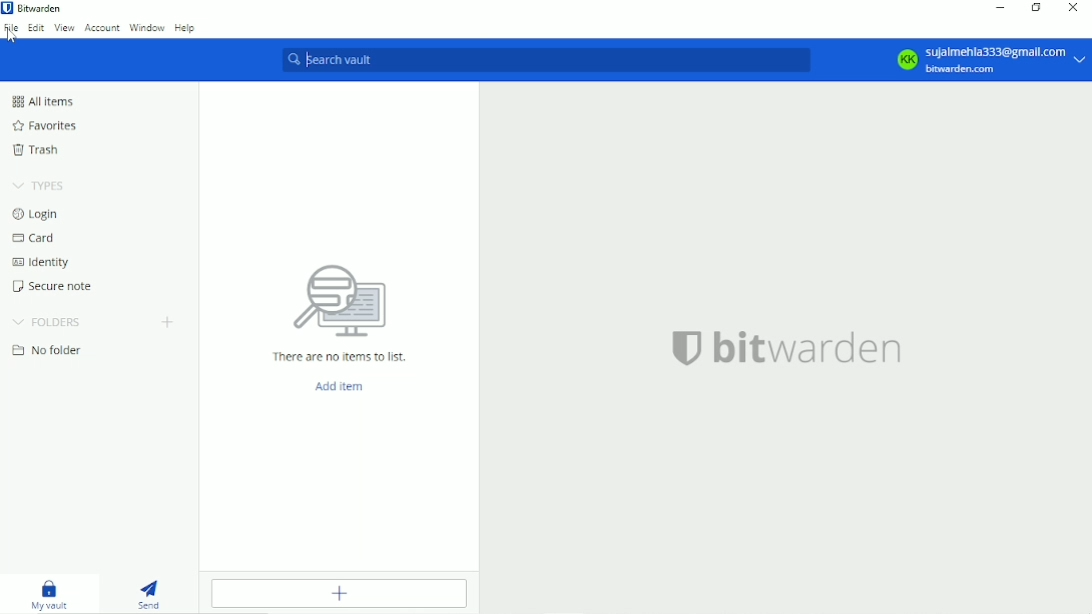  Describe the element at coordinates (42, 101) in the screenshot. I see `All items` at that location.